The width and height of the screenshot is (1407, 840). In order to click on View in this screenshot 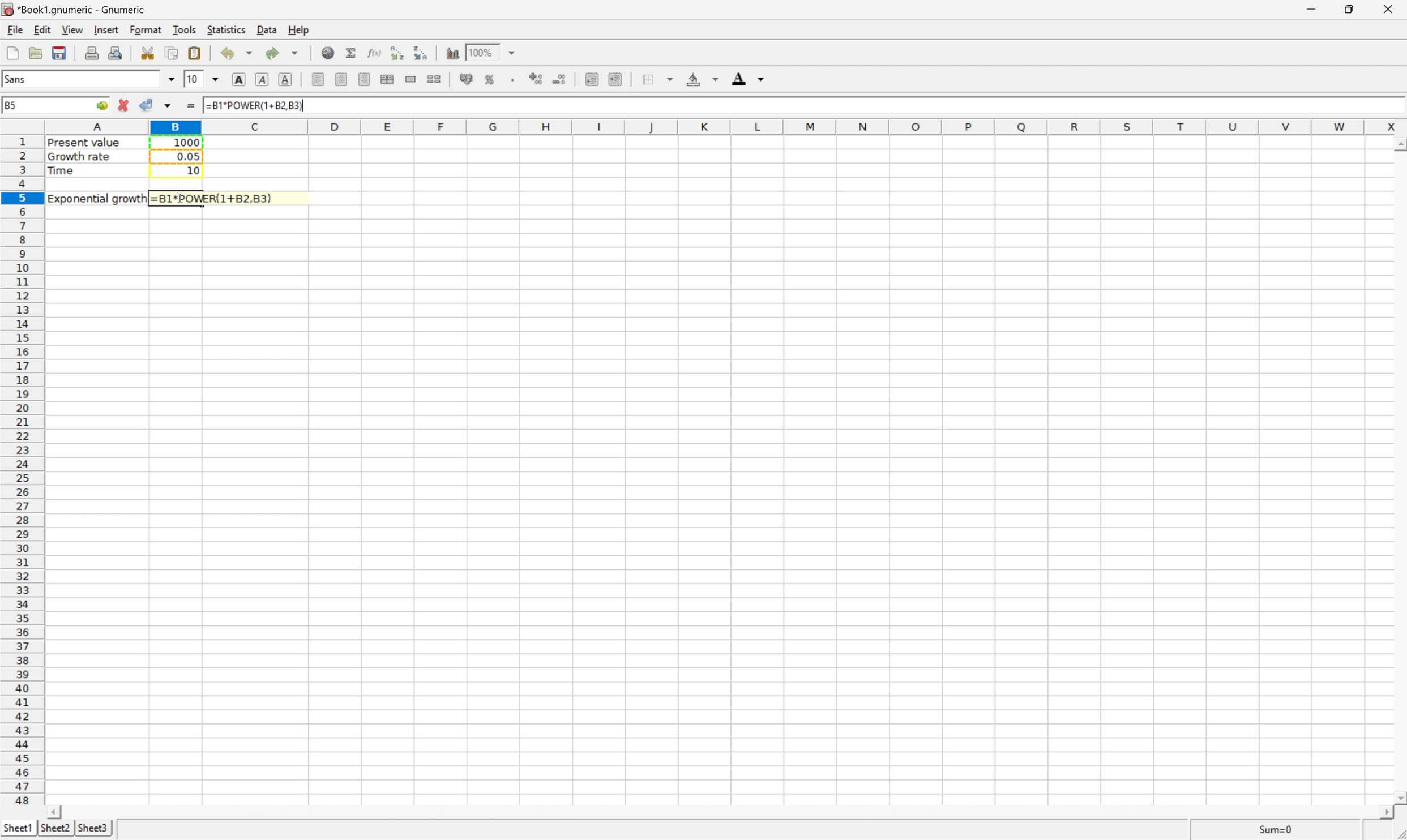, I will do `click(73, 29)`.